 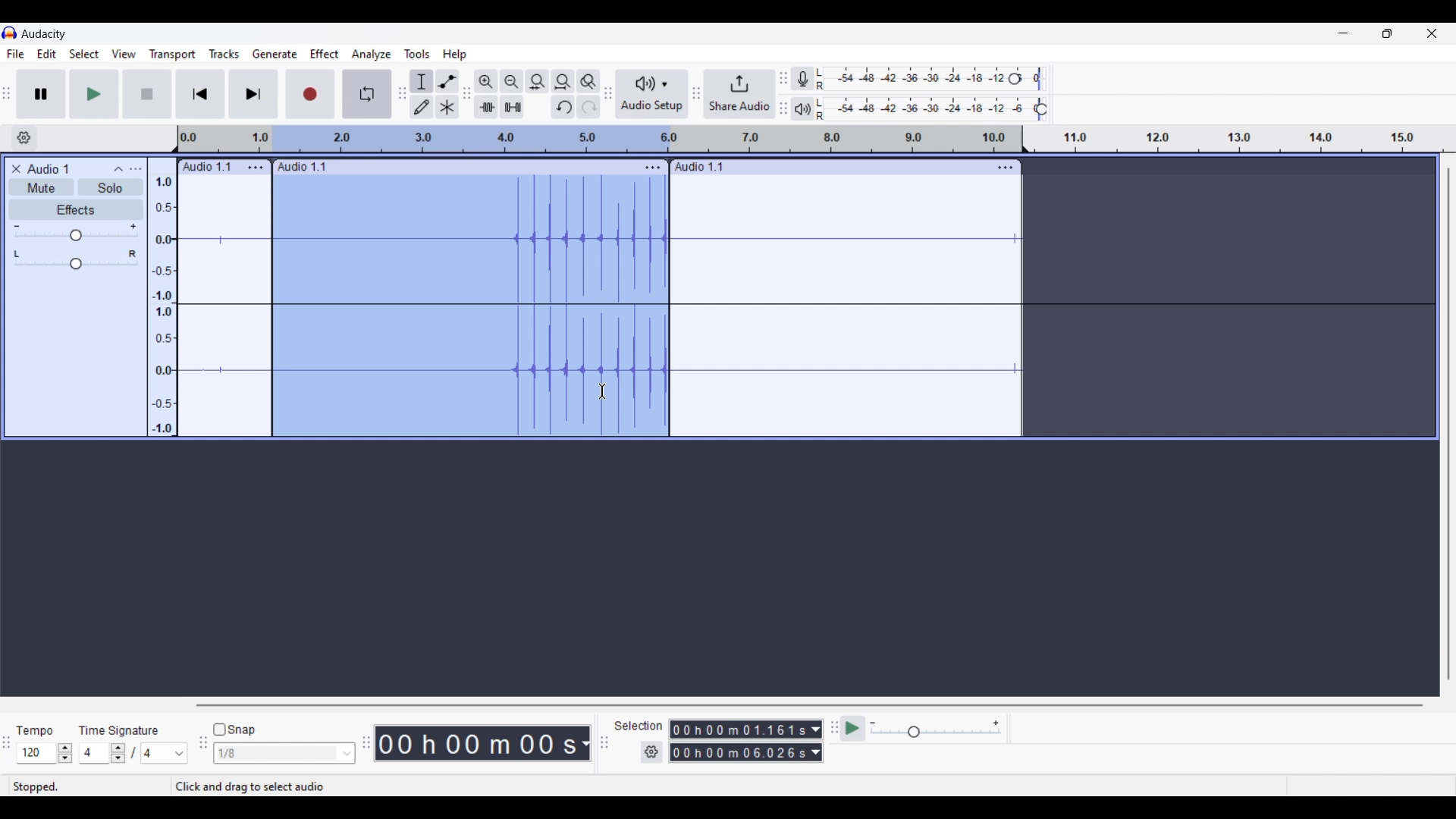 What do you see at coordinates (253, 93) in the screenshot?
I see `Skip/Select to end` at bounding box center [253, 93].